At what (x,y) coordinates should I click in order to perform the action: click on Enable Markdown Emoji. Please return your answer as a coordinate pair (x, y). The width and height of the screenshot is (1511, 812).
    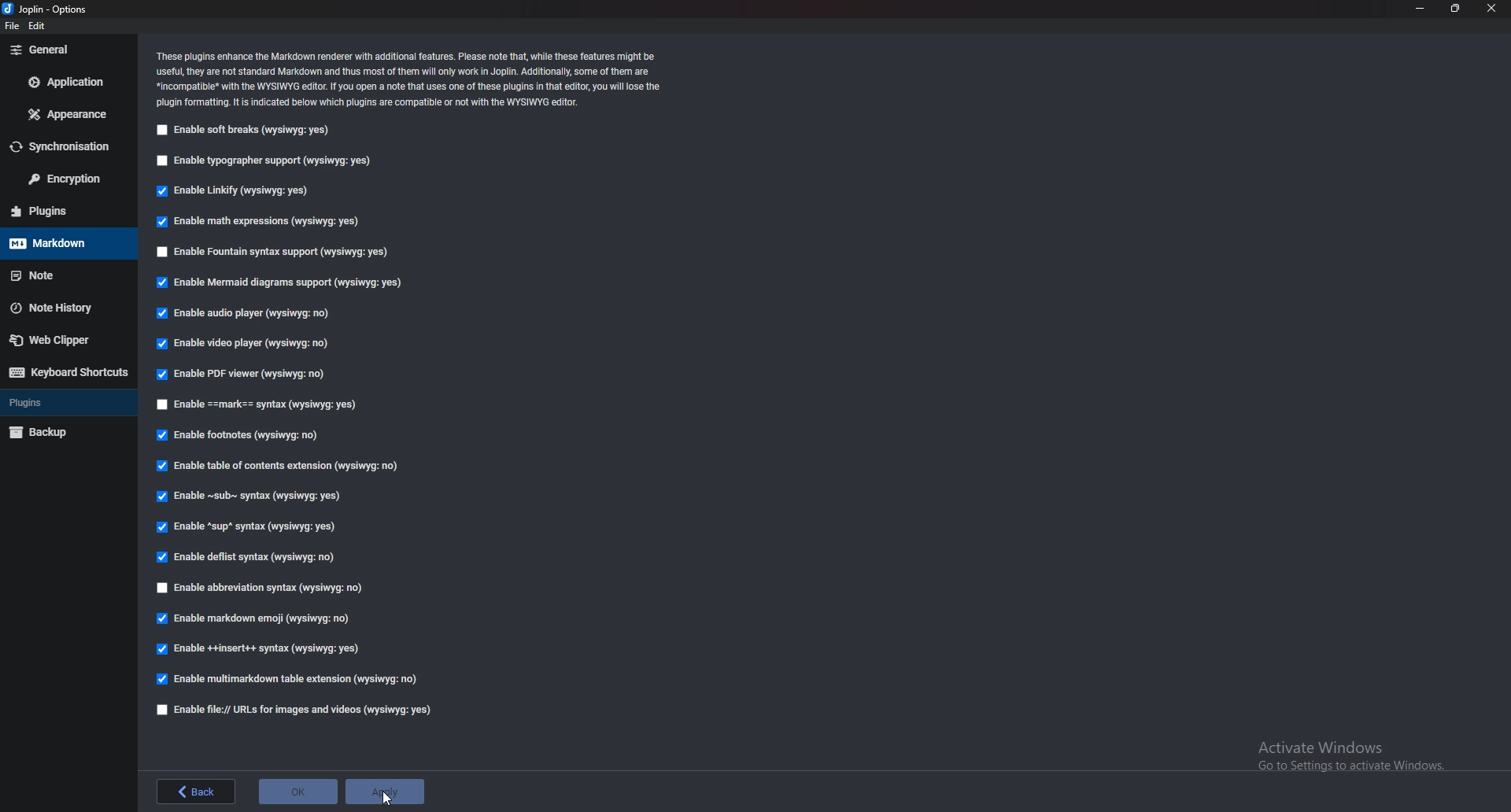
    Looking at the image, I should click on (255, 618).